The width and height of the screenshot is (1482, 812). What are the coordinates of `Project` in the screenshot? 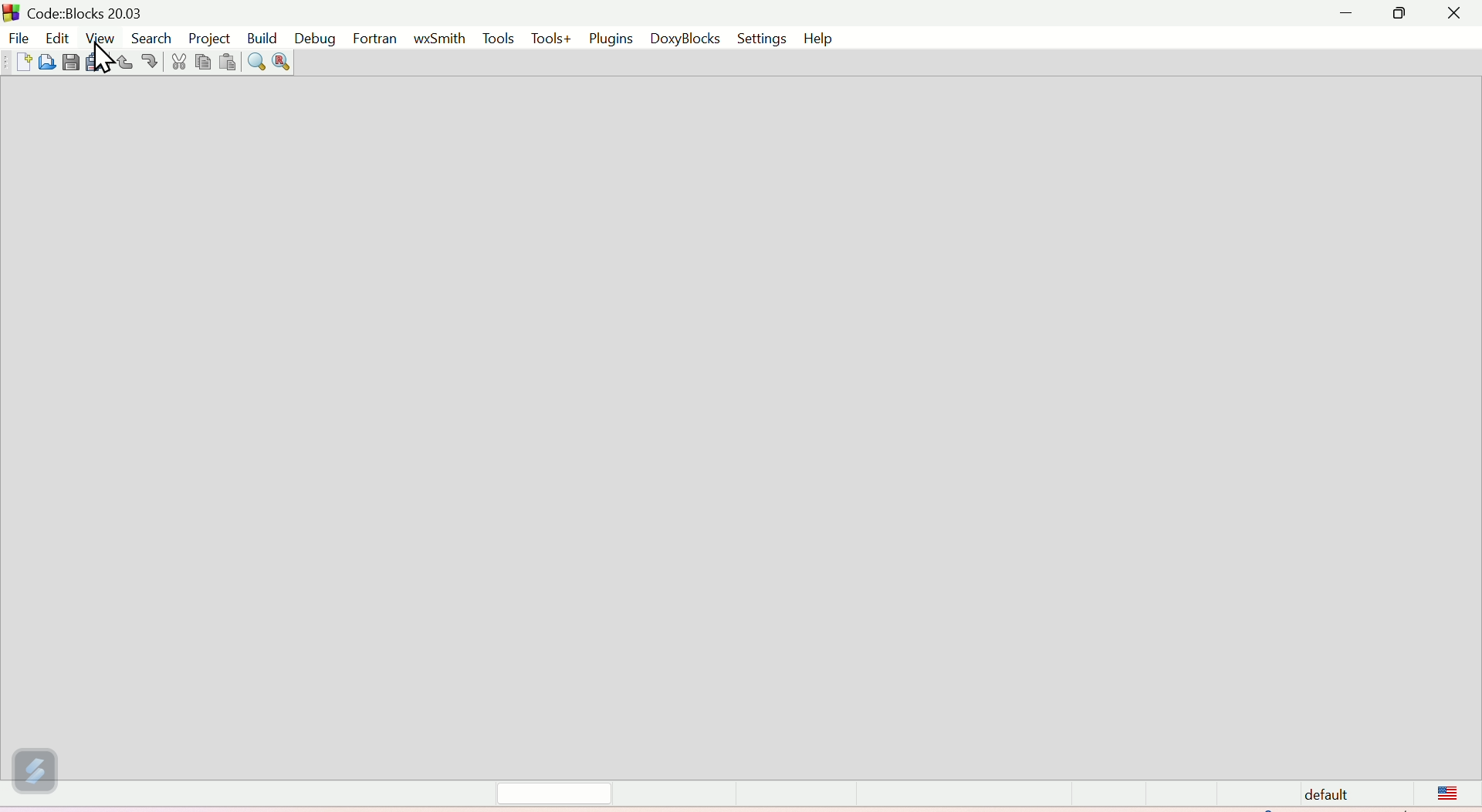 It's located at (206, 37).